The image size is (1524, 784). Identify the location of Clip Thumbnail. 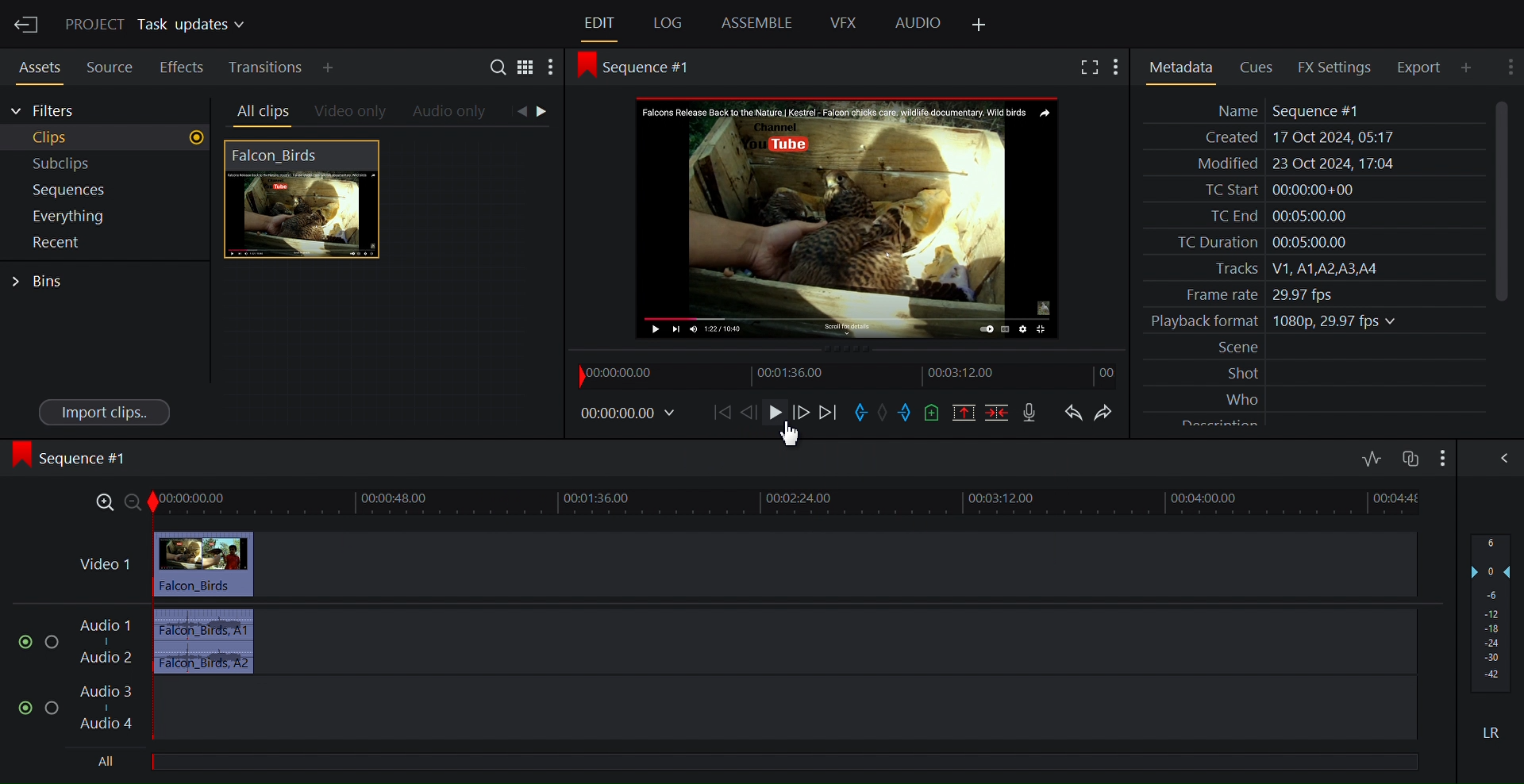
(383, 285).